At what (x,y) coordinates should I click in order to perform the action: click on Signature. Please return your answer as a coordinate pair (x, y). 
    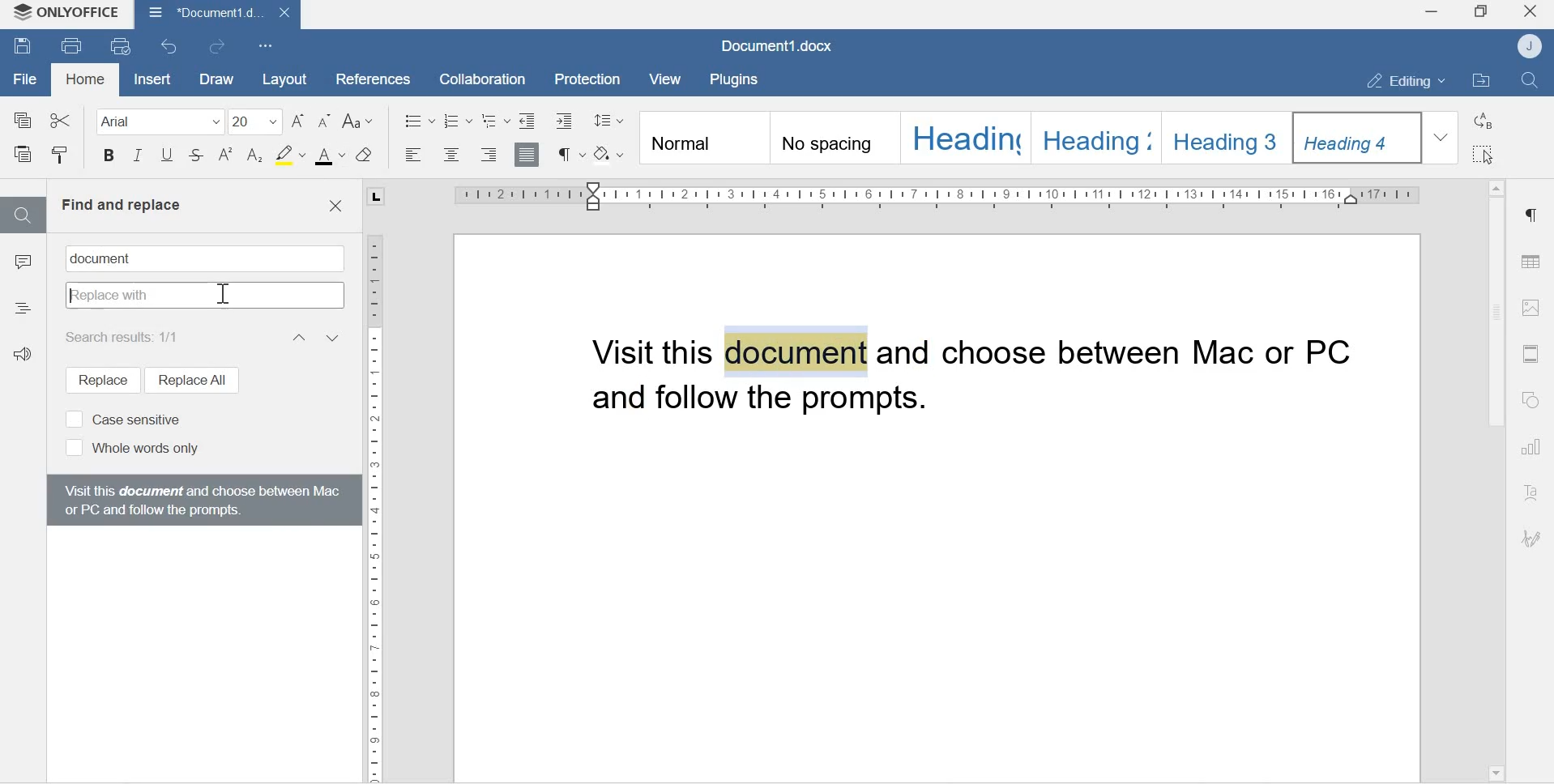
    Looking at the image, I should click on (1531, 539).